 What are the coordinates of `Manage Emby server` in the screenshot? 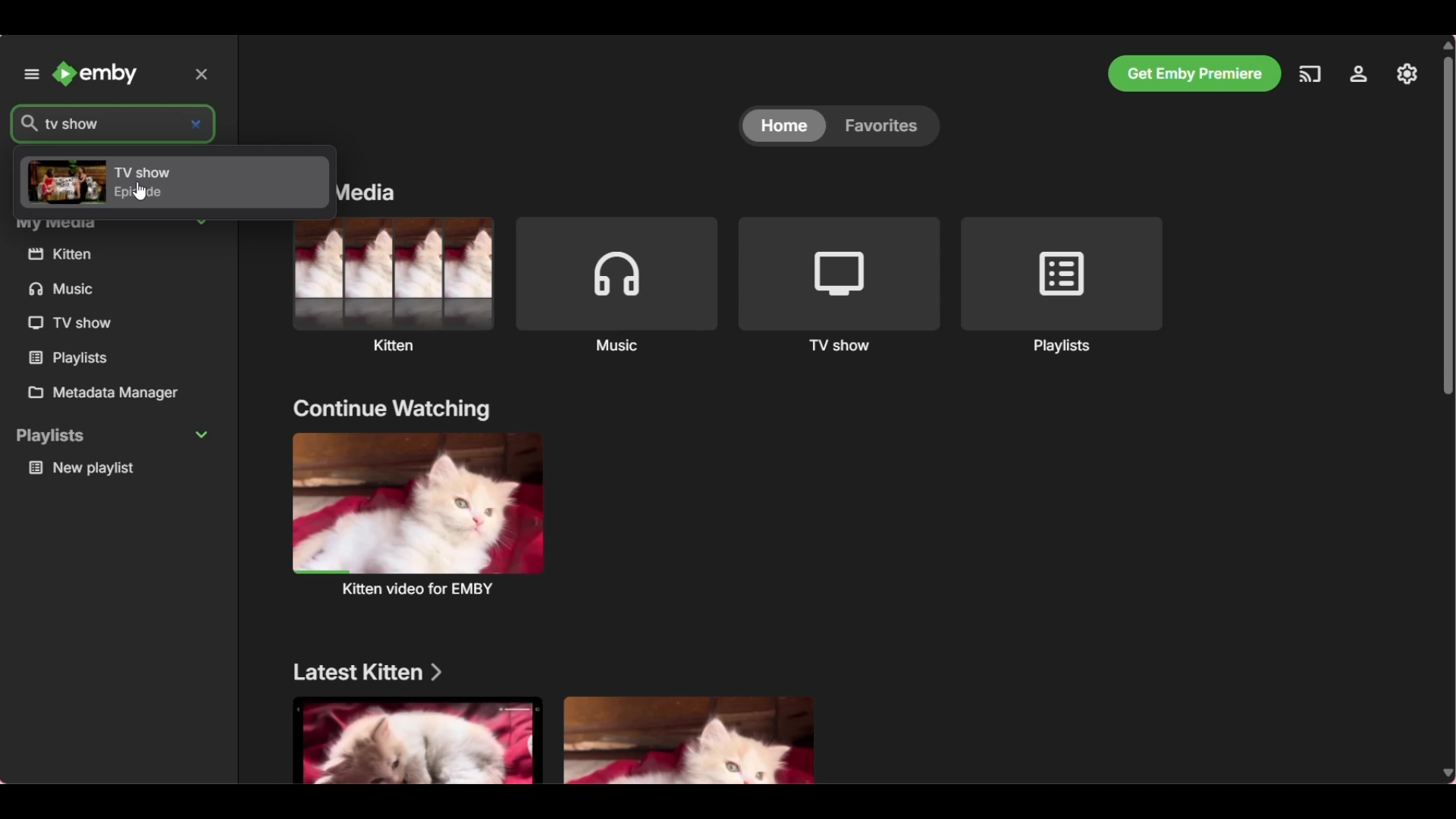 It's located at (1360, 74).